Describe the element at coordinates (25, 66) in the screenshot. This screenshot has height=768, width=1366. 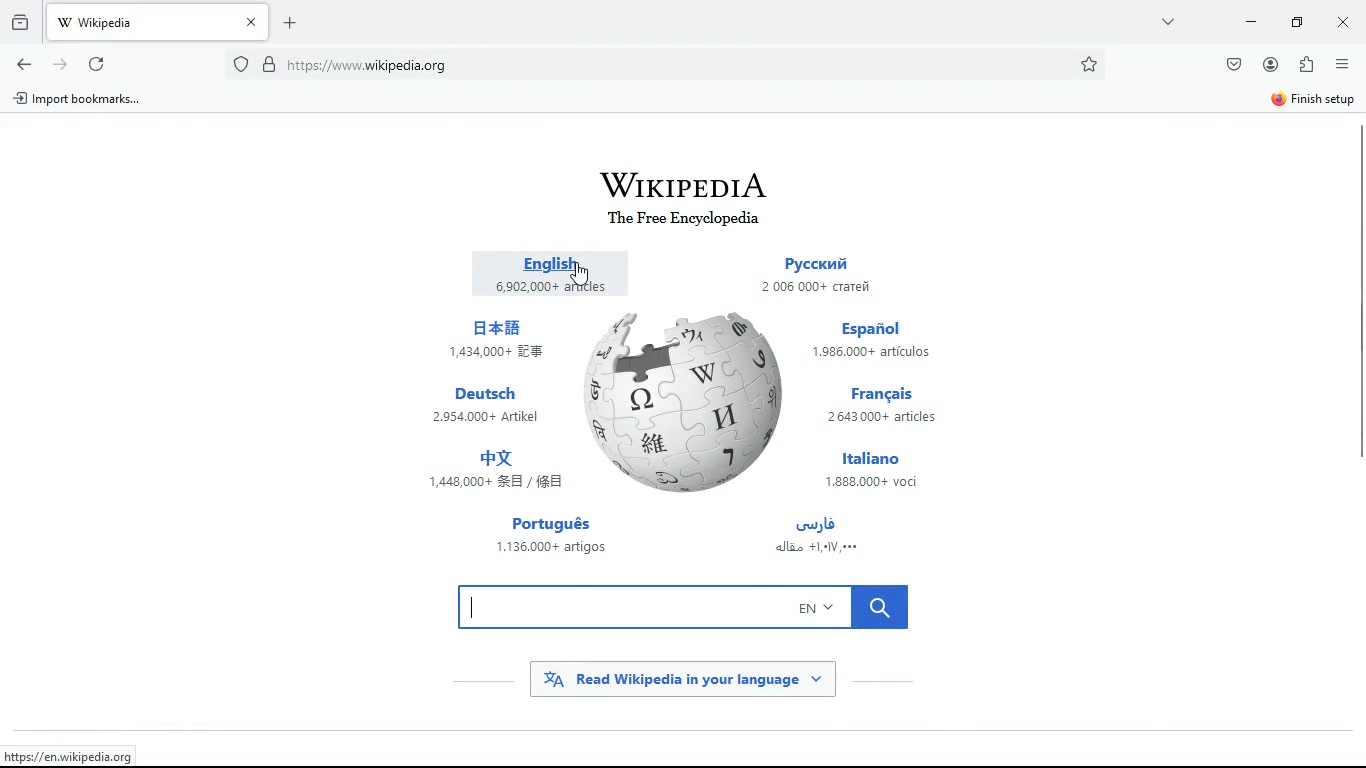
I see `back` at that location.